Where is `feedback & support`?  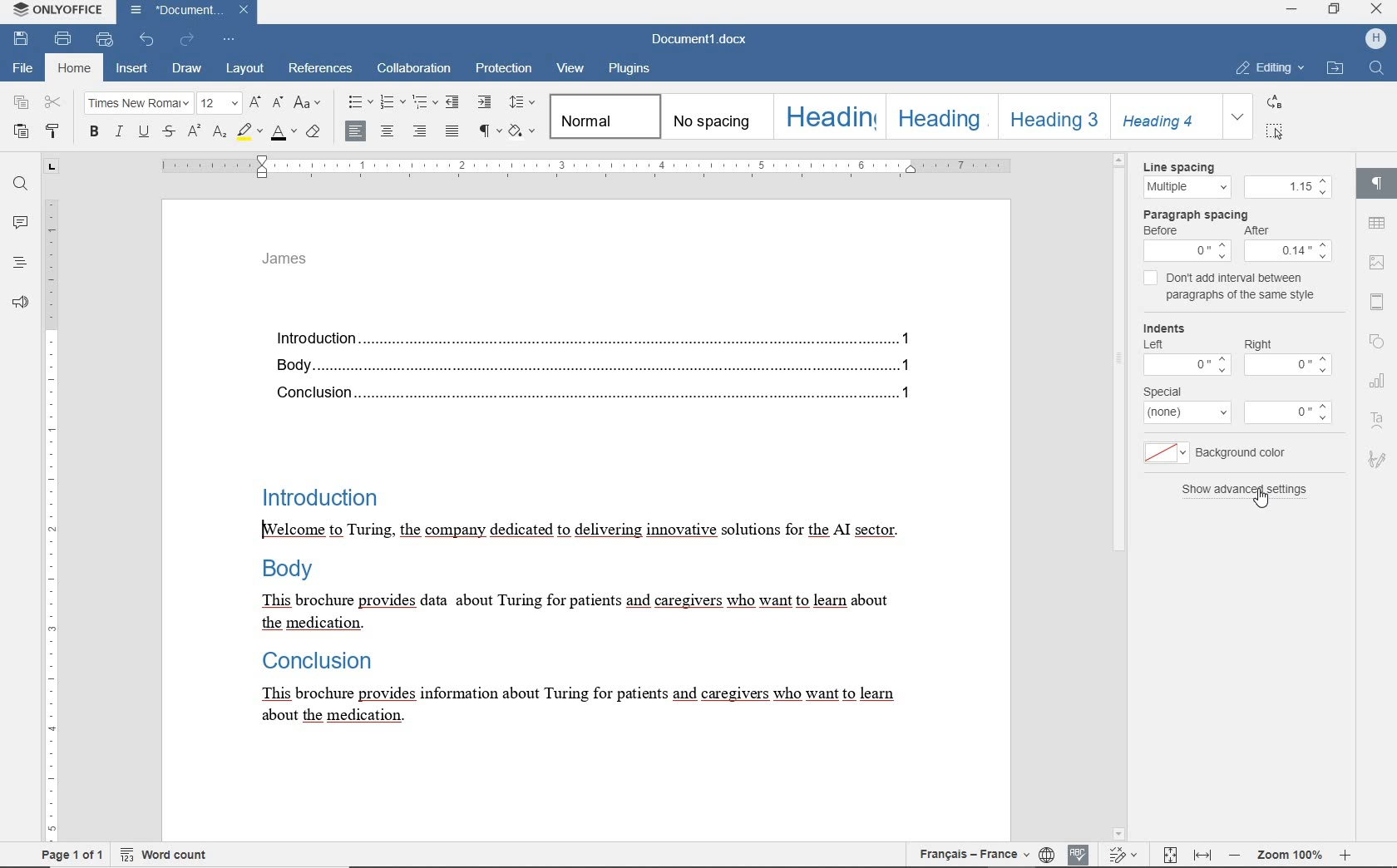
feedback & support is located at coordinates (21, 303).